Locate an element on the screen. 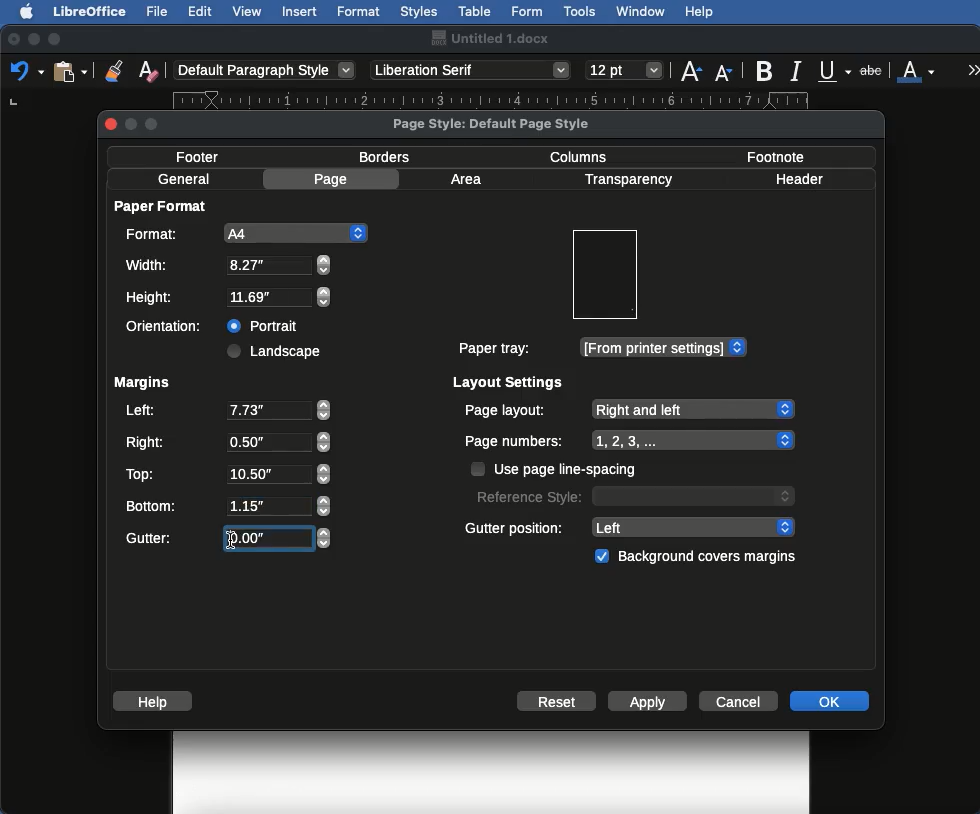  Clipboard is located at coordinates (70, 70).